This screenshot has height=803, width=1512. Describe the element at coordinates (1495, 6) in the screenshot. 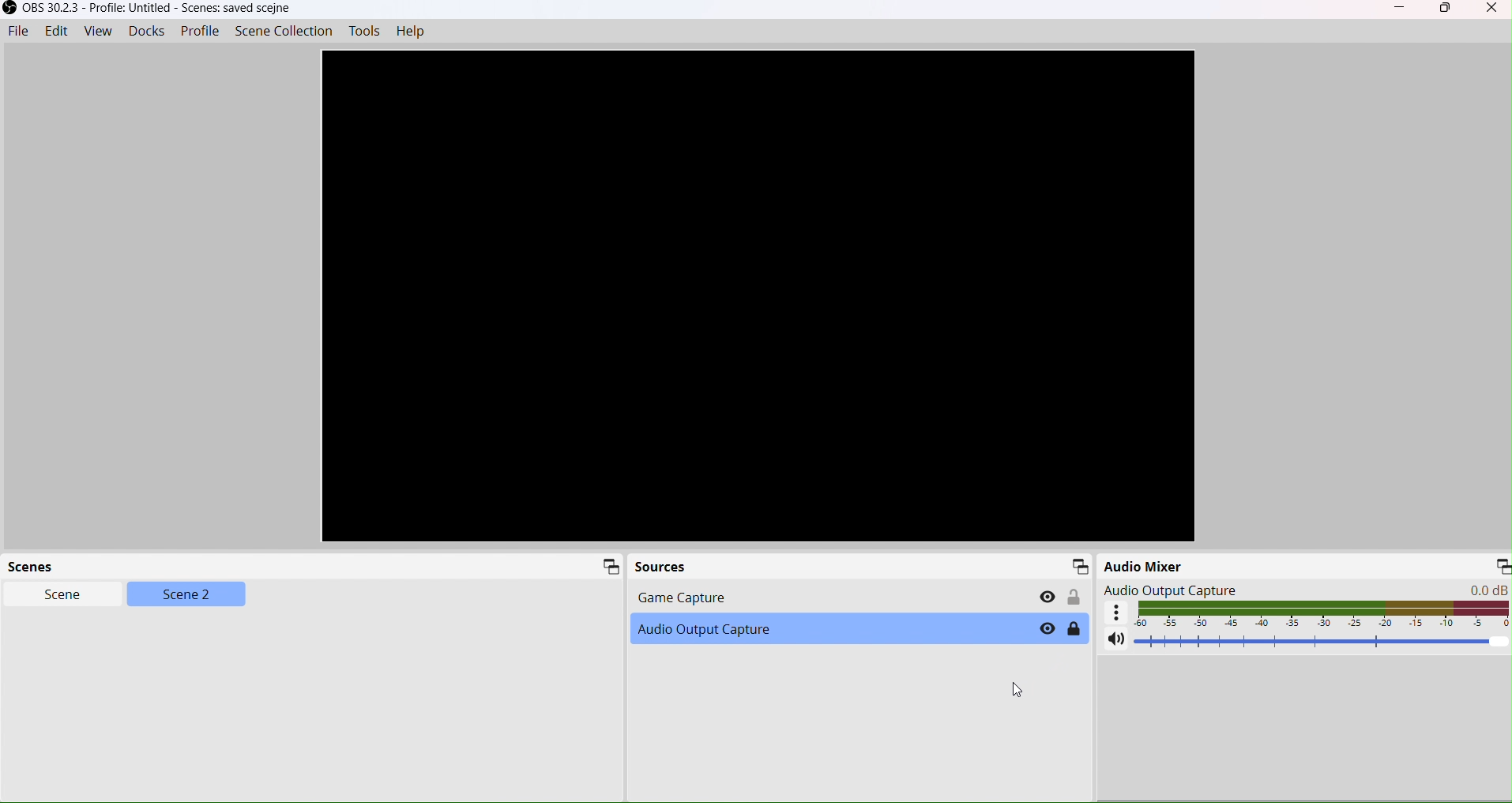

I see `Exit` at that location.